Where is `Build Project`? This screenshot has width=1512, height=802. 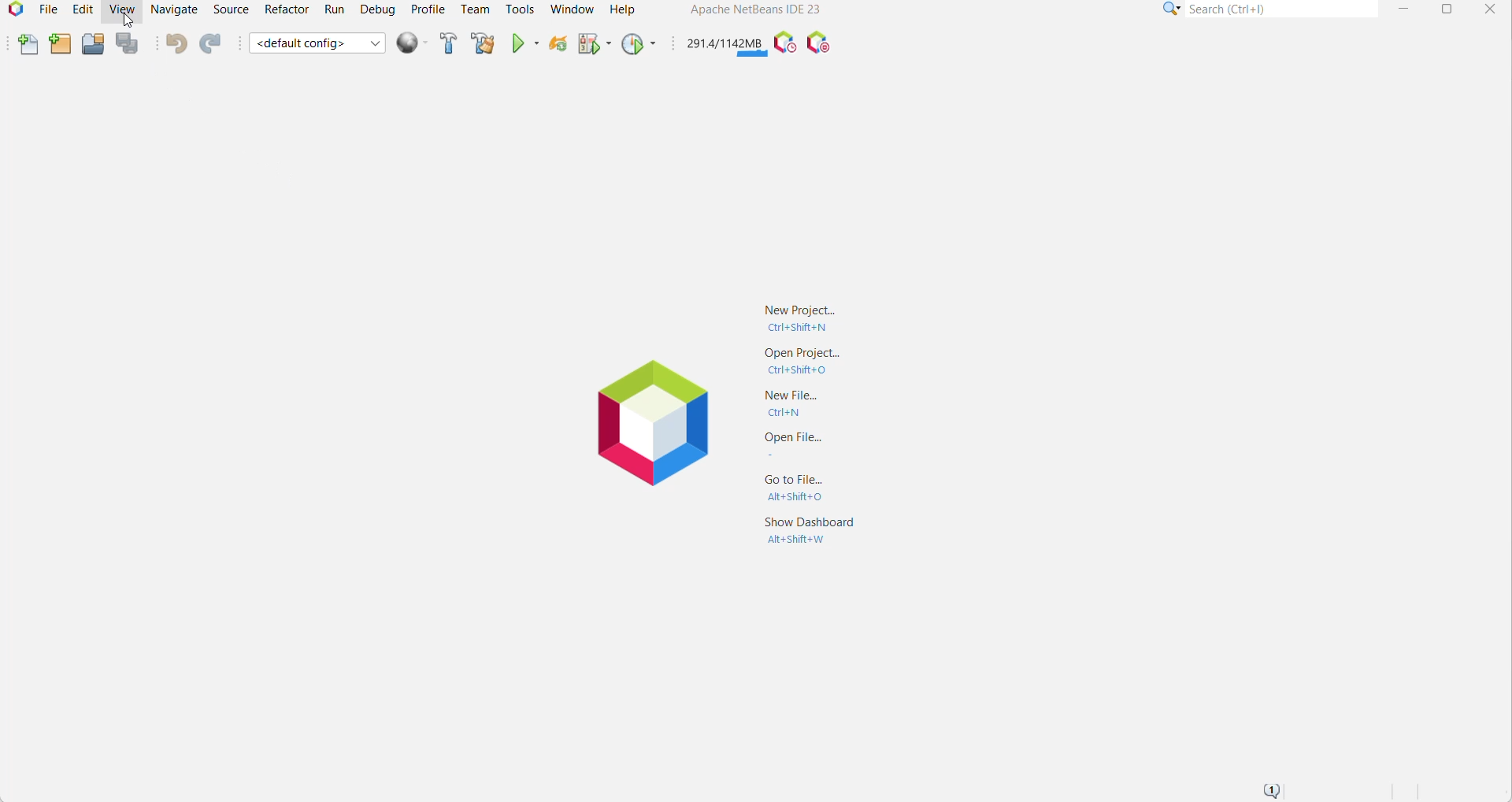 Build Project is located at coordinates (447, 43).